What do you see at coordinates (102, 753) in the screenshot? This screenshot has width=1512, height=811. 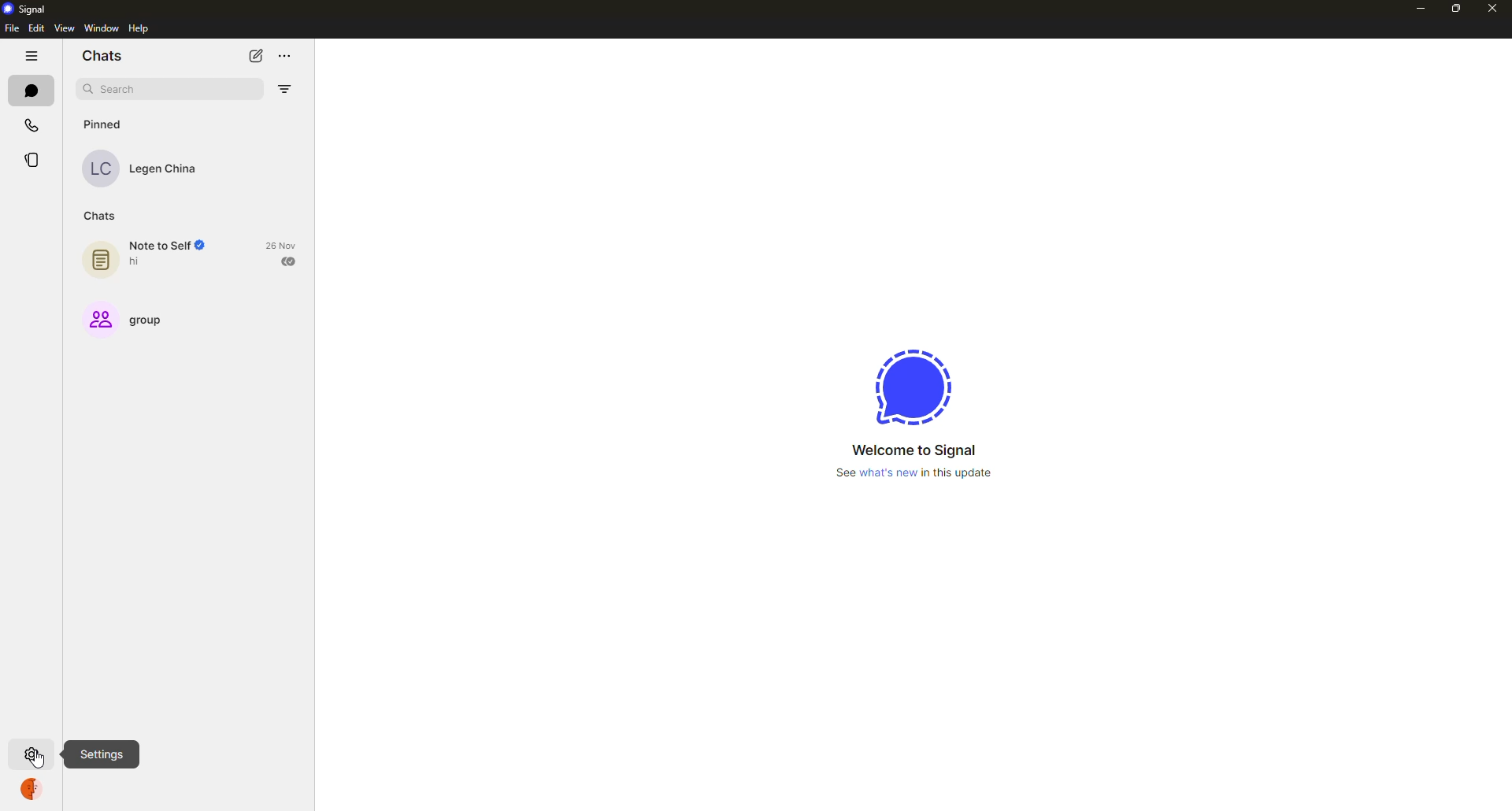 I see `settings` at bounding box center [102, 753].